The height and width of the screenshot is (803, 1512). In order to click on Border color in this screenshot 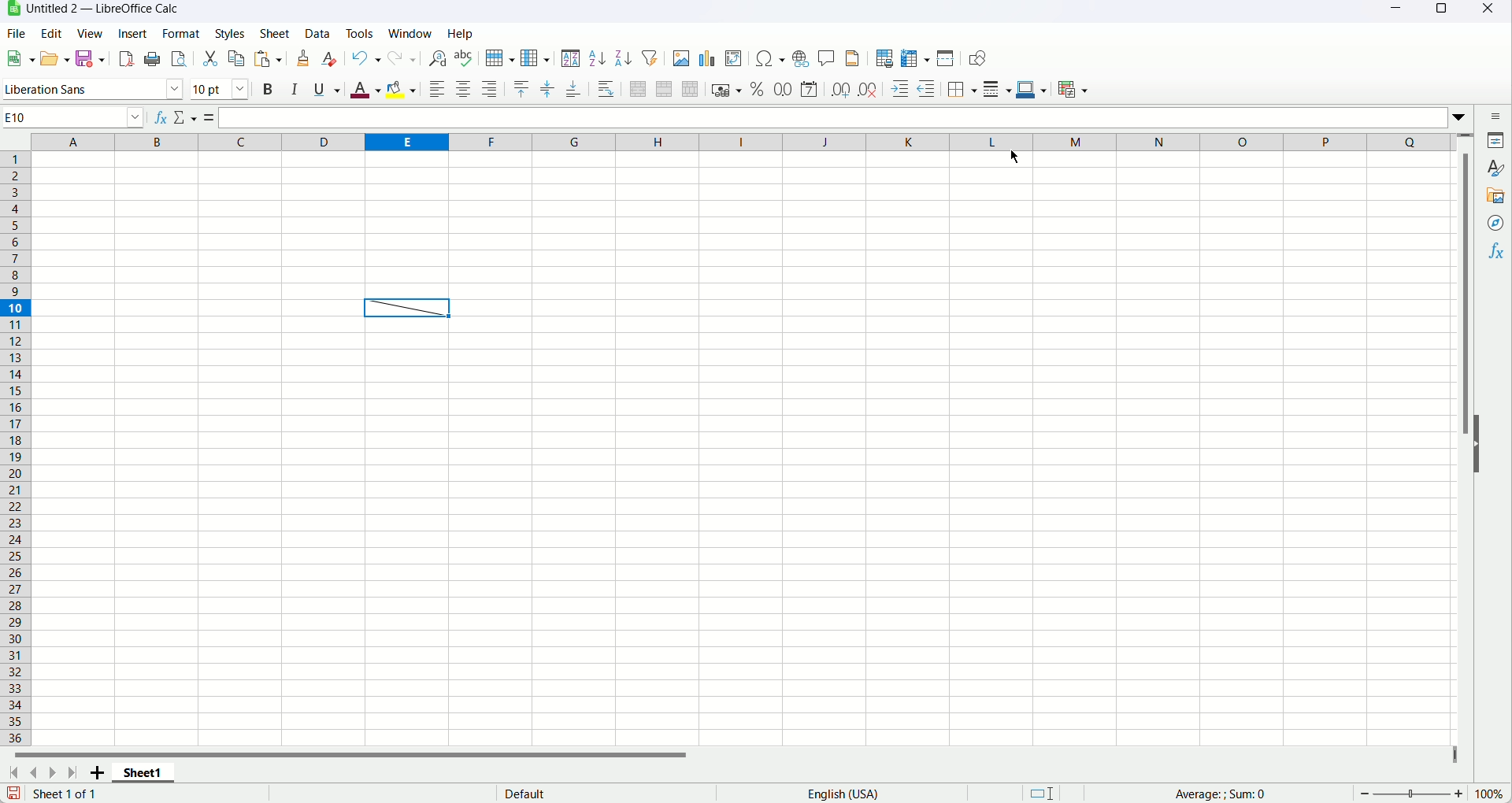, I will do `click(1032, 91)`.